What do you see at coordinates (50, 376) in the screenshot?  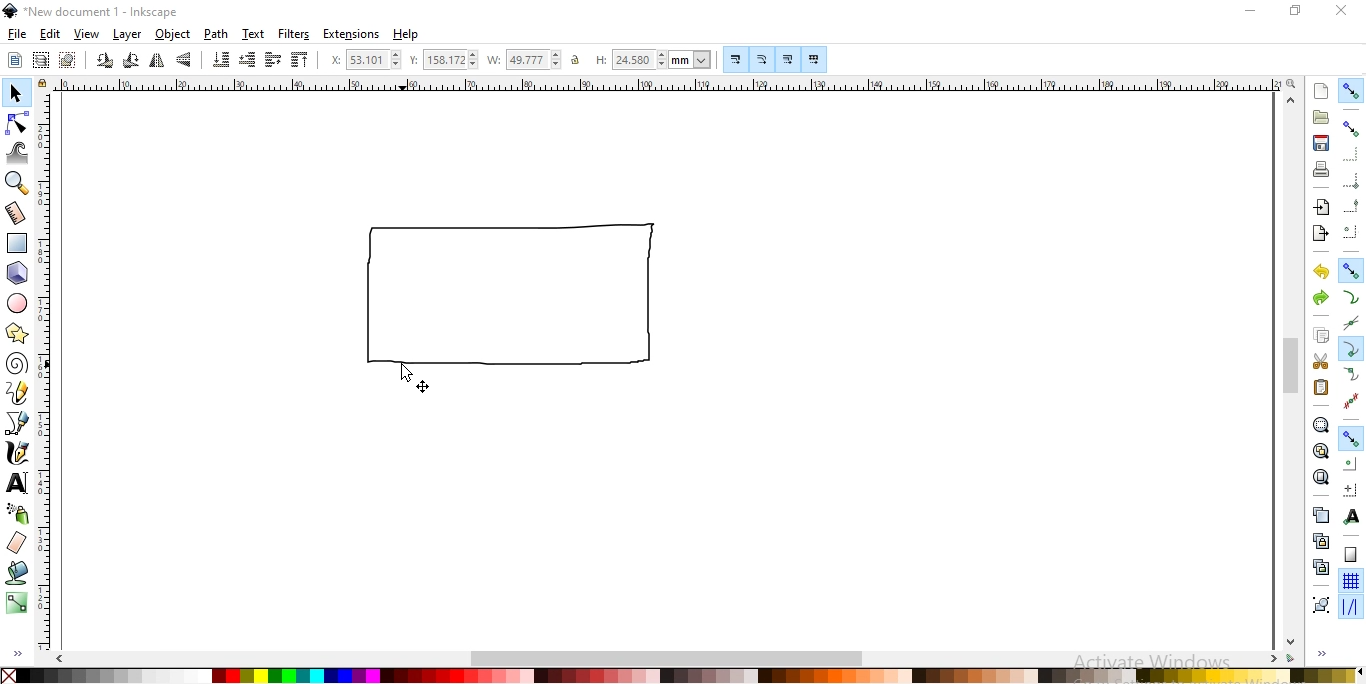 I see `ruler` at bounding box center [50, 376].